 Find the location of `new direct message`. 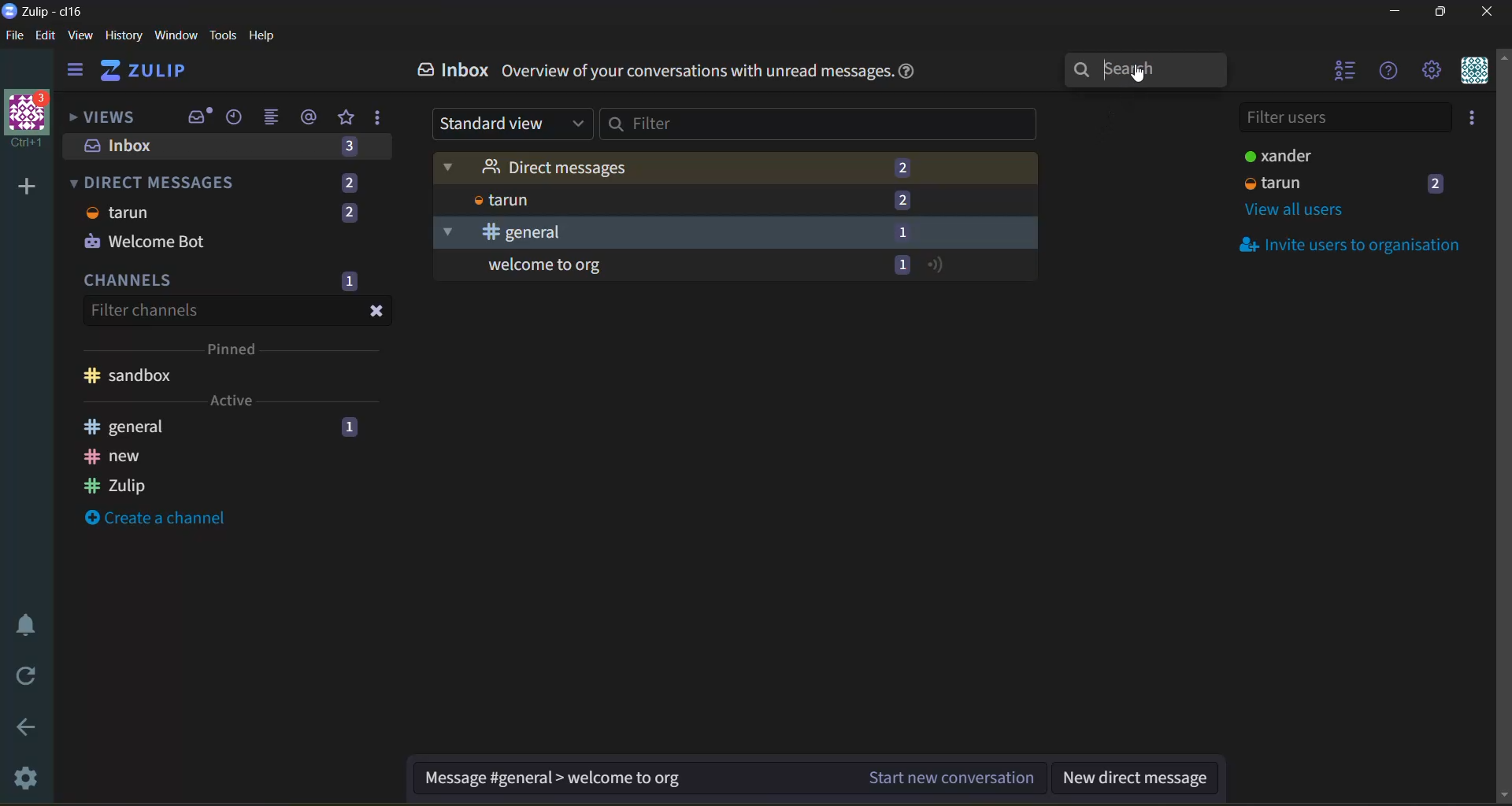

new direct message is located at coordinates (1134, 779).